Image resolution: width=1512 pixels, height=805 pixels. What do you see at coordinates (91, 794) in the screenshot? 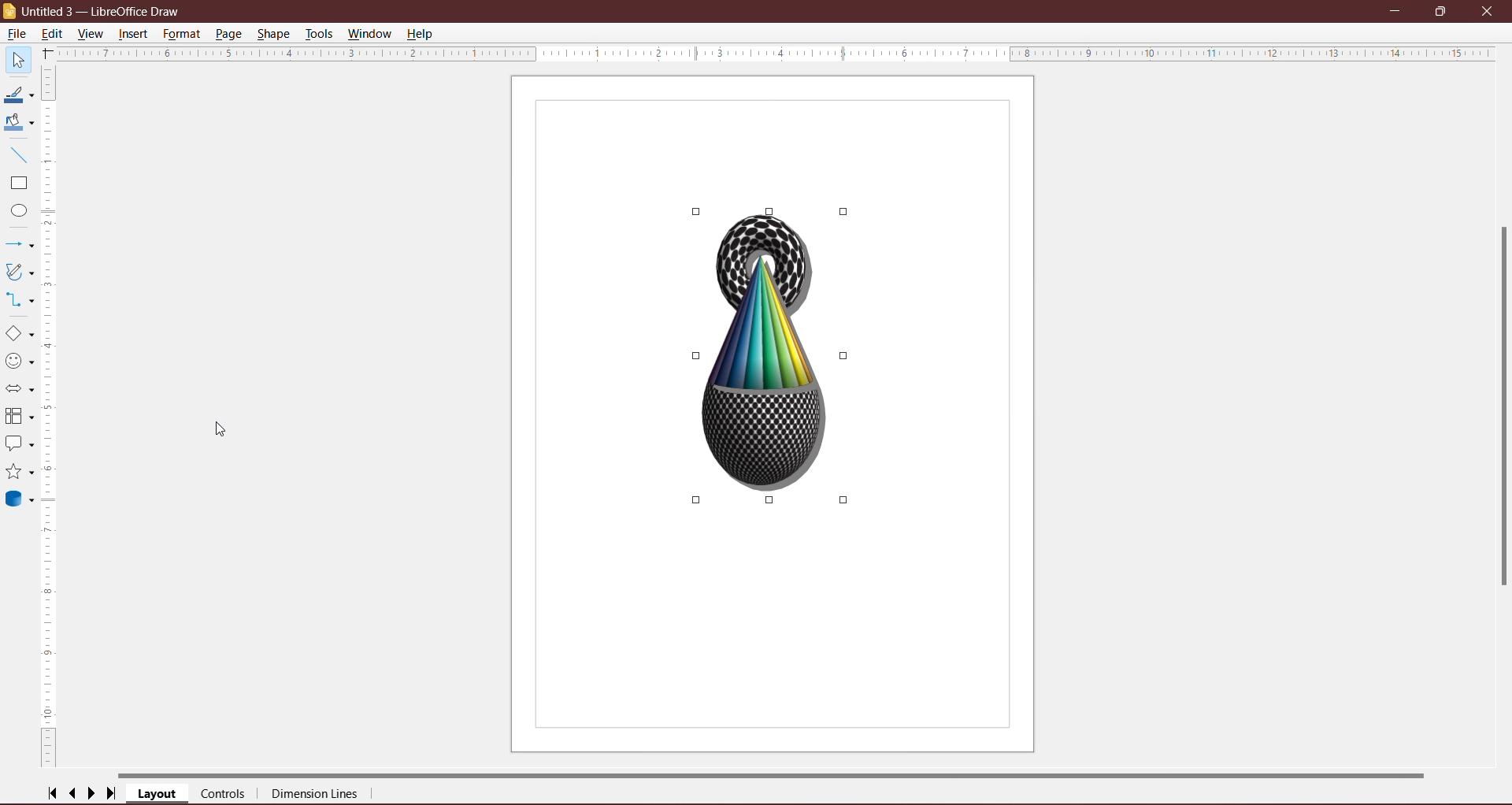
I see `Scroll to next page` at bounding box center [91, 794].